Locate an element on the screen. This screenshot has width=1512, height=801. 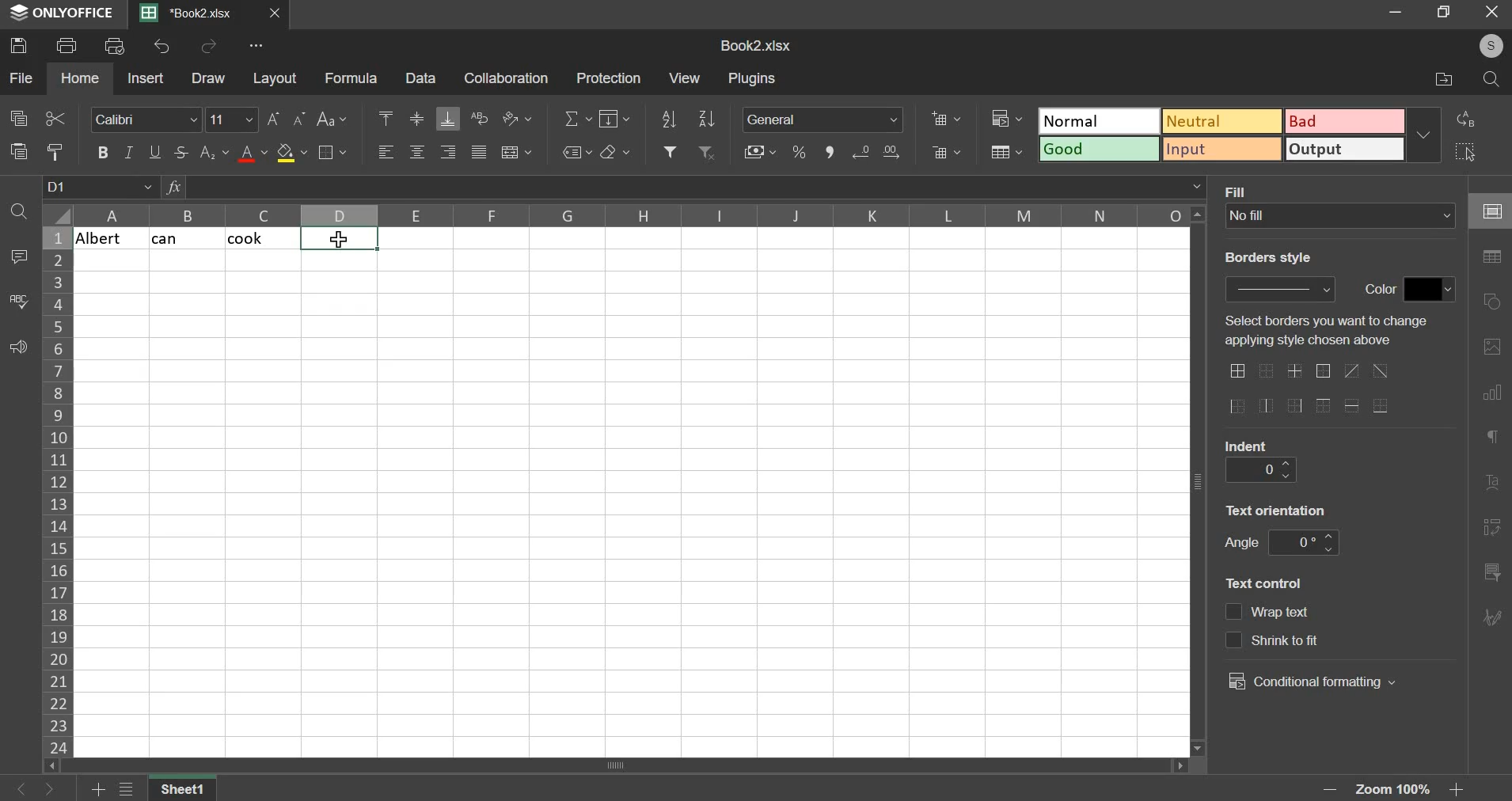
insert is located at coordinates (145, 78).